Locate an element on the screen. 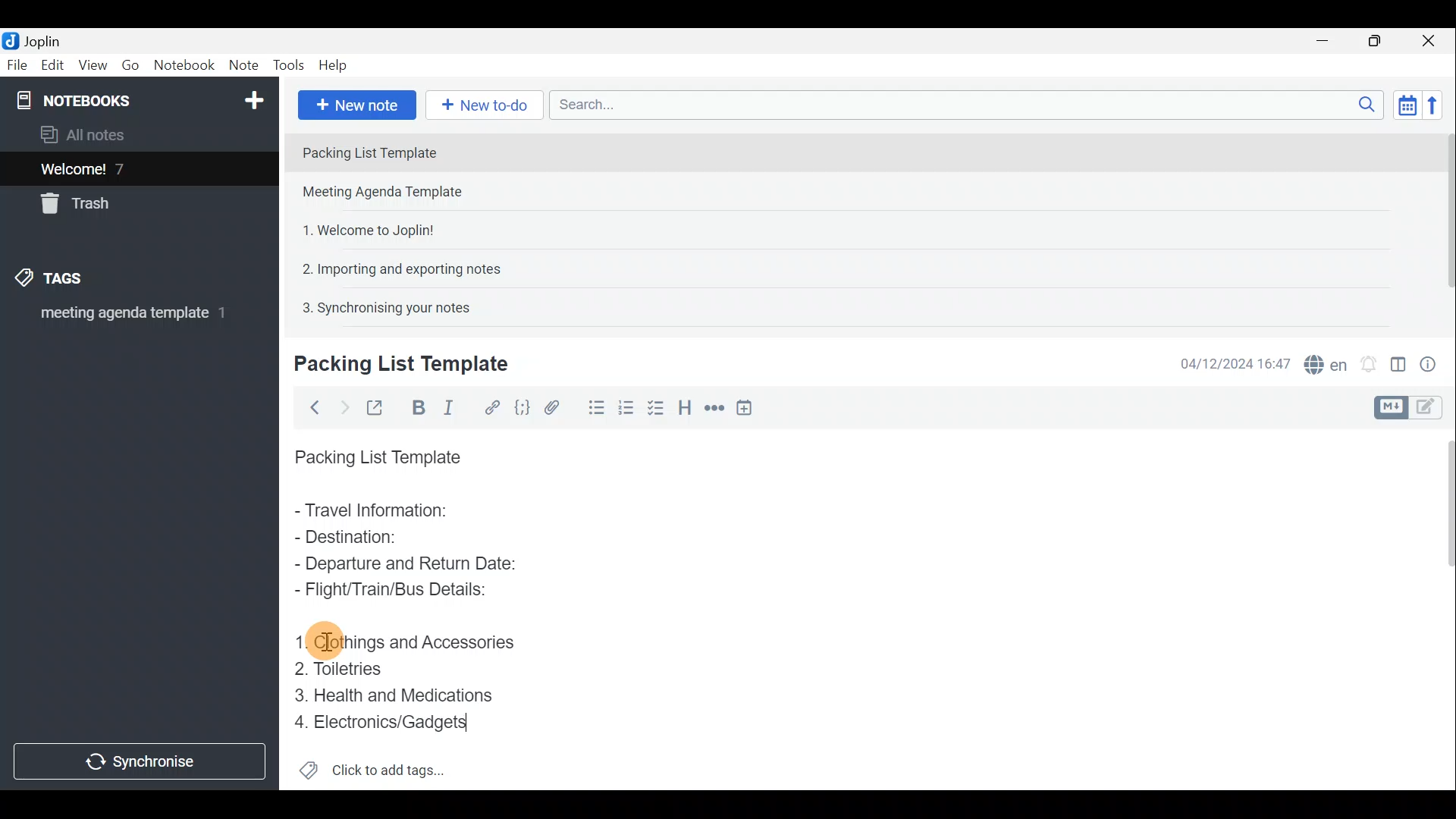 Image resolution: width=1456 pixels, height=819 pixels. Checkbox is located at coordinates (626, 405).